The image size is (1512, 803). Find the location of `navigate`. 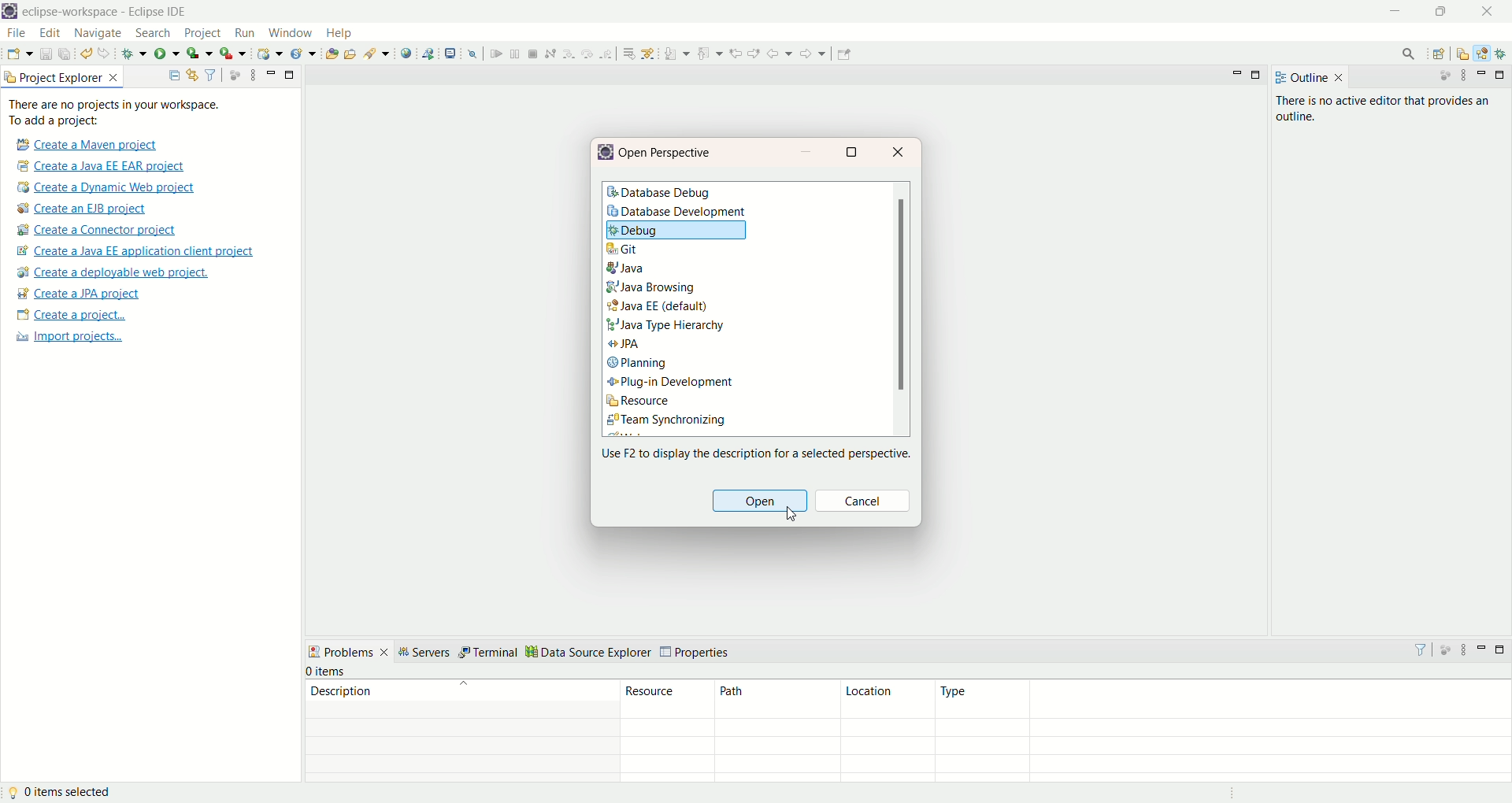

navigate is located at coordinates (100, 35).